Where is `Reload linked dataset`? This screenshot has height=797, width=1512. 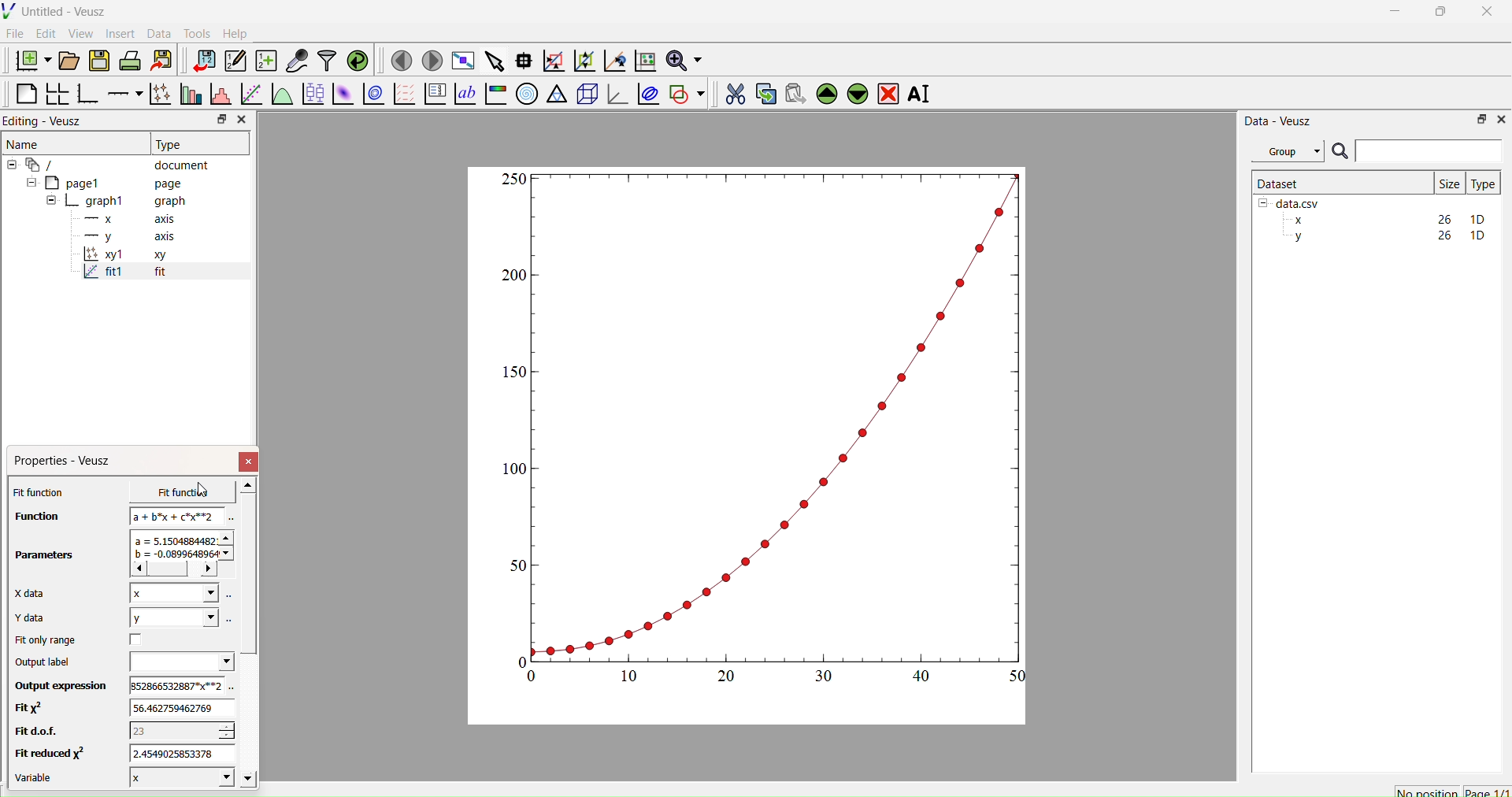 Reload linked dataset is located at coordinates (356, 59).